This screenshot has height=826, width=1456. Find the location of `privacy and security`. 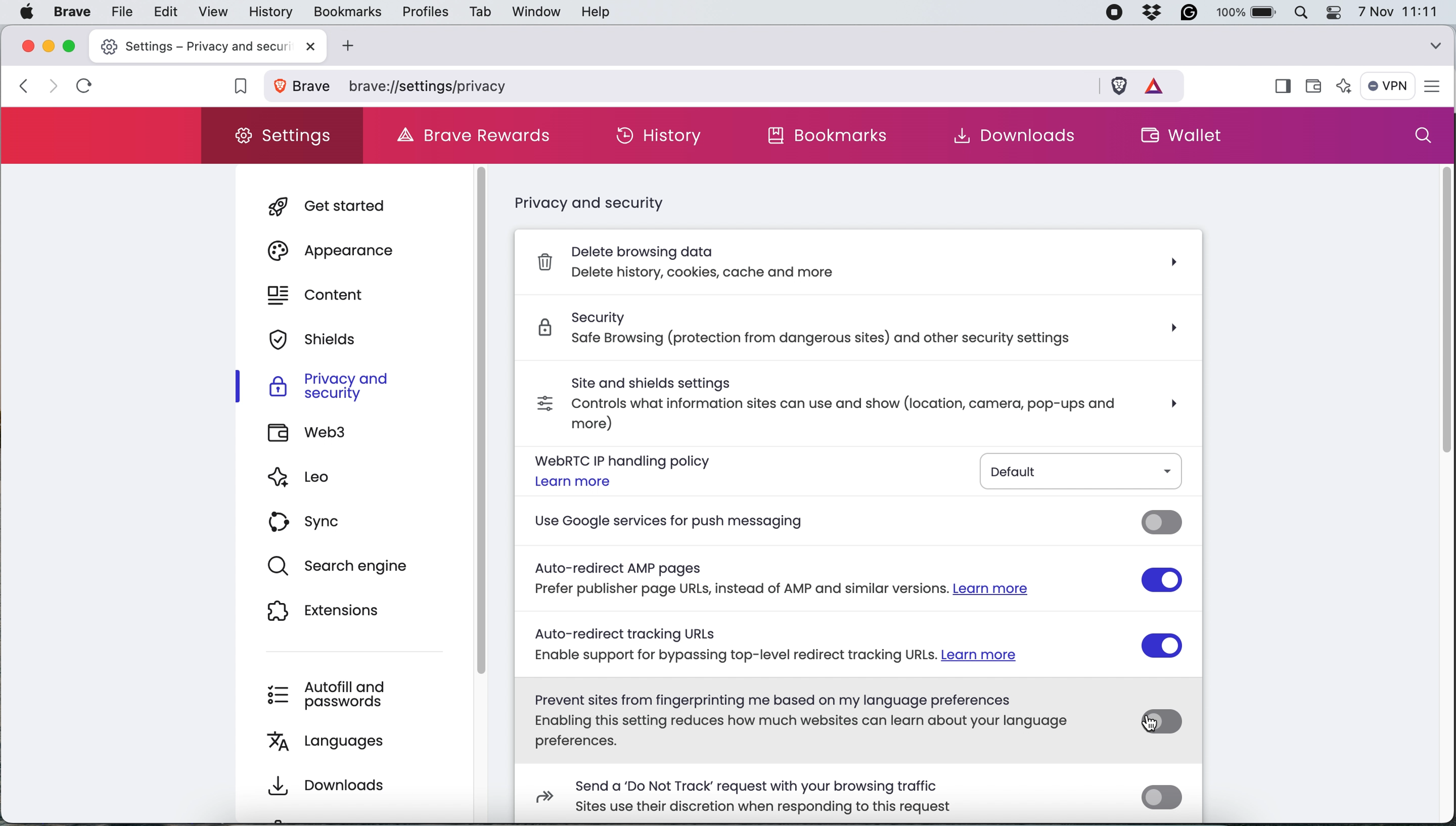

privacy and security is located at coordinates (329, 385).